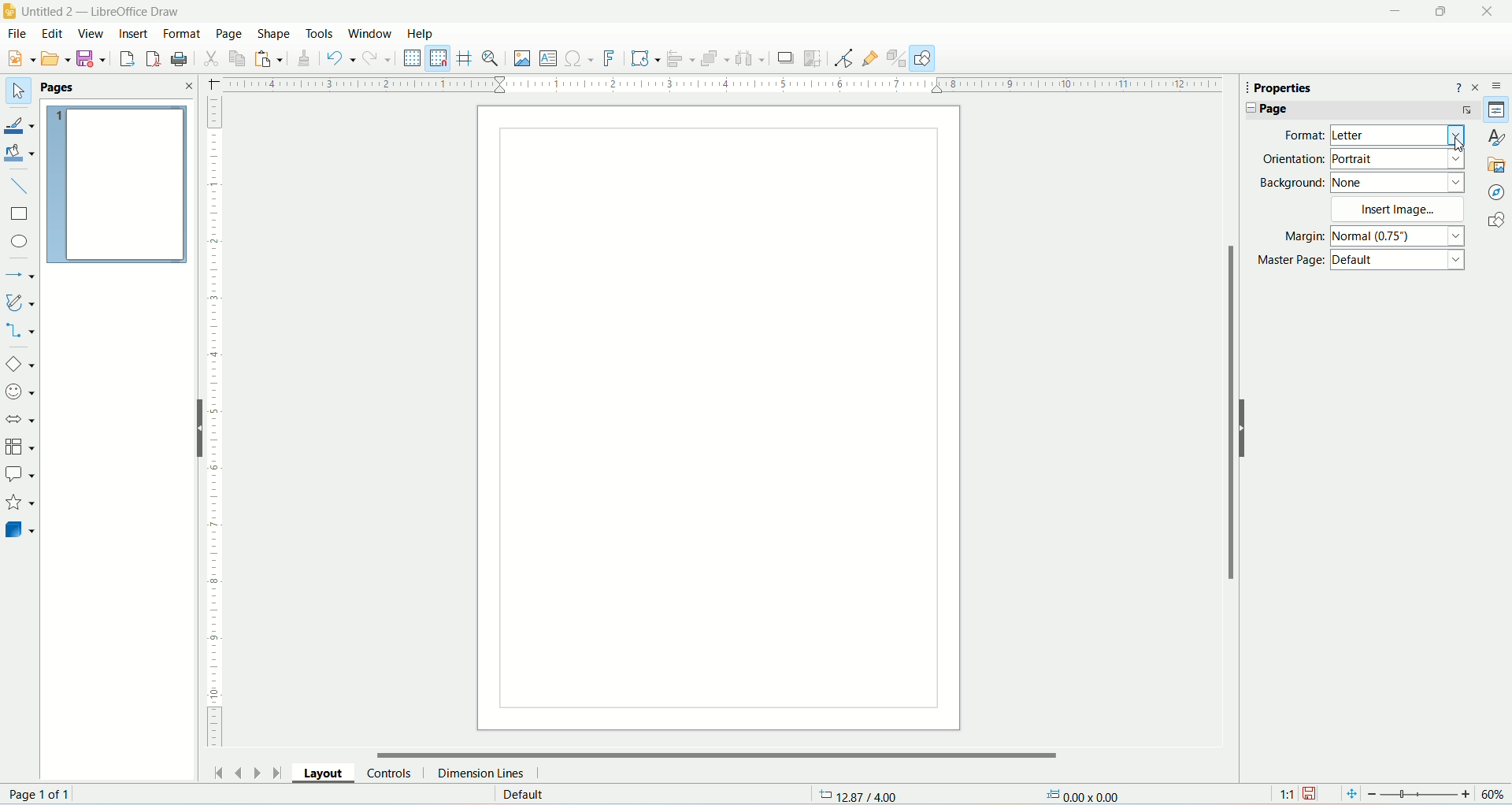 This screenshot has height=805, width=1512. I want to click on title, so click(104, 12).